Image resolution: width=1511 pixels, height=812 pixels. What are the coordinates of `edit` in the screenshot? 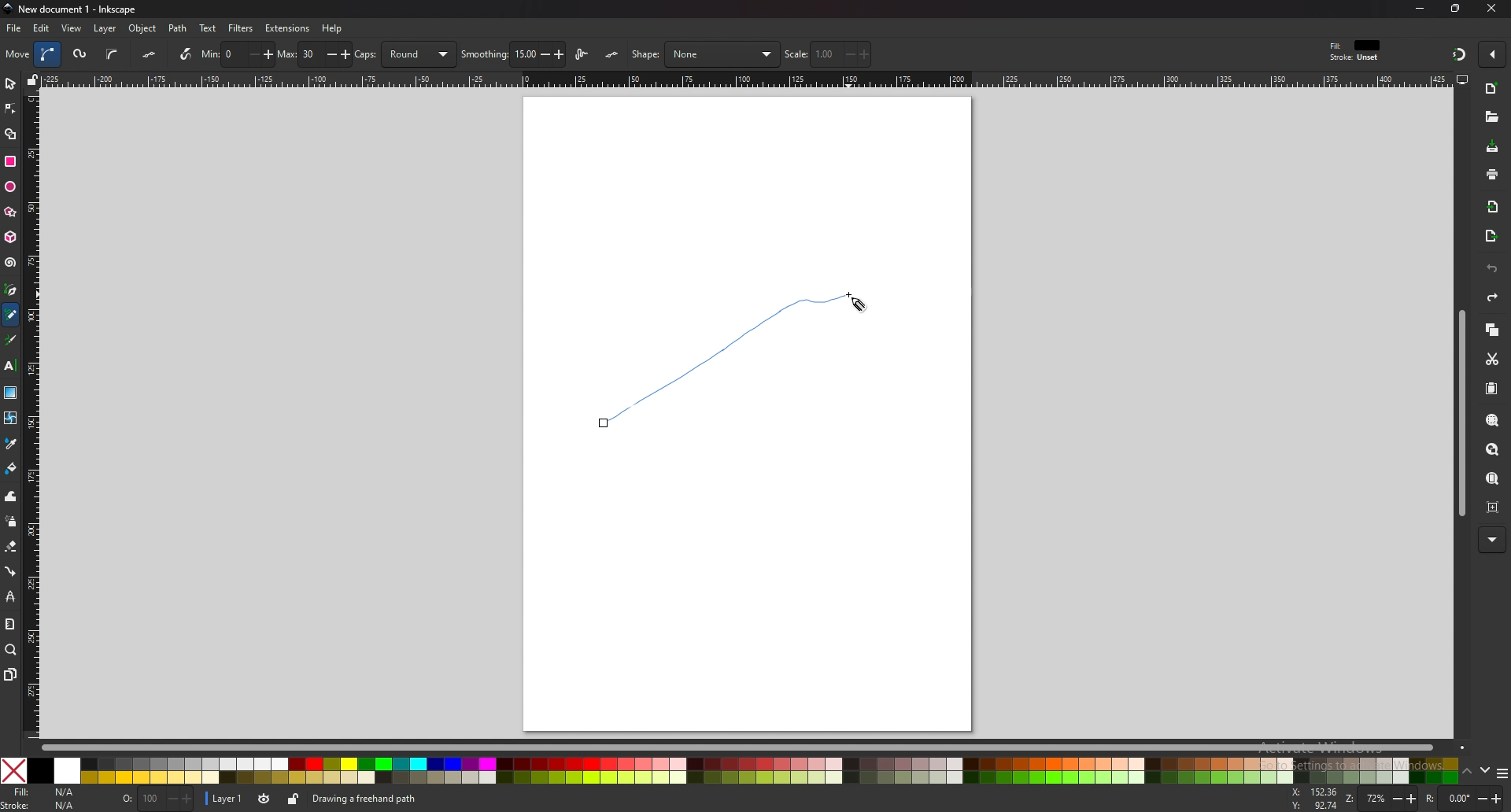 It's located at (42, 28).